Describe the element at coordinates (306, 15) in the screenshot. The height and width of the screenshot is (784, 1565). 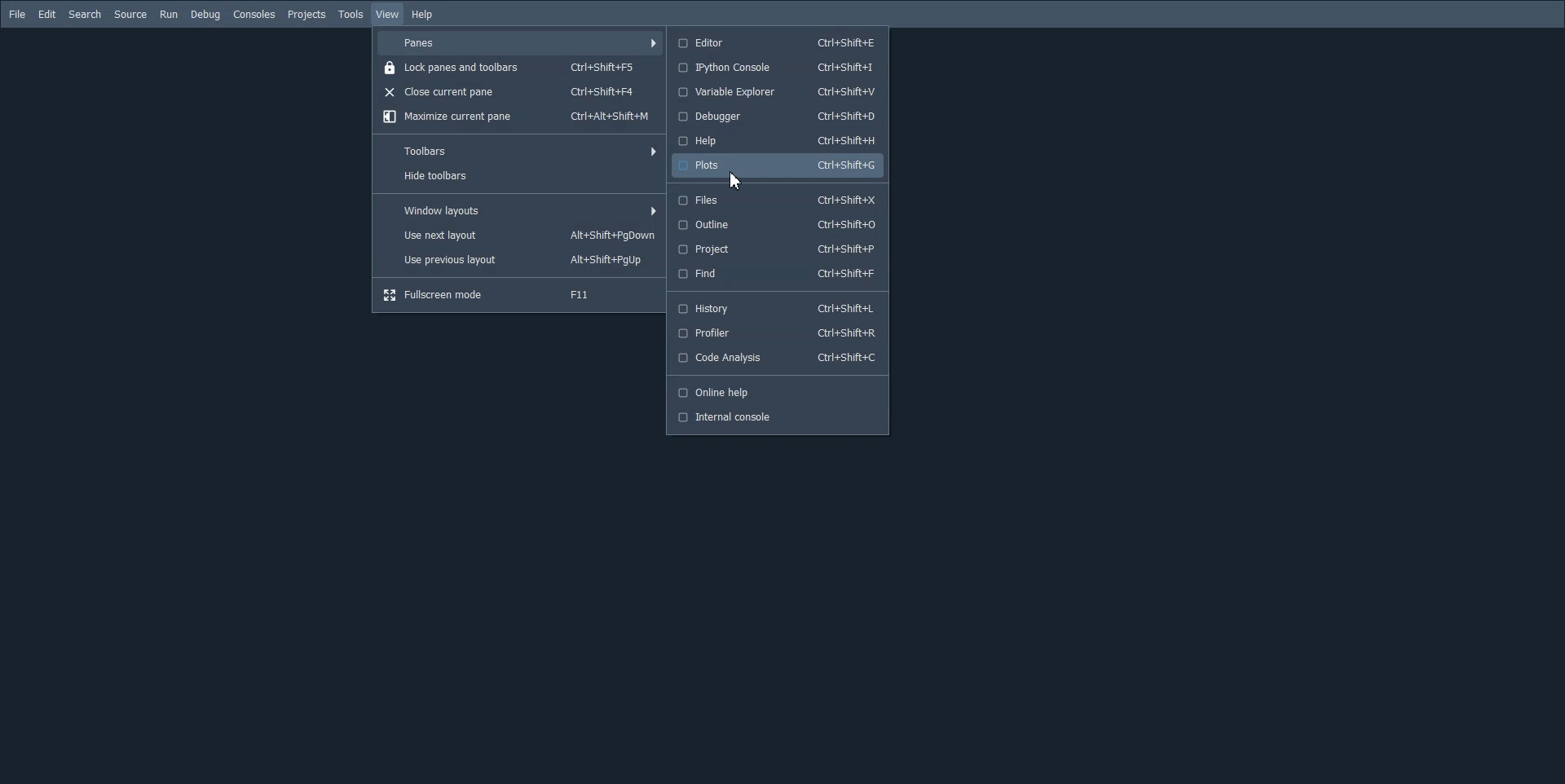
I see `Projects` at that location.